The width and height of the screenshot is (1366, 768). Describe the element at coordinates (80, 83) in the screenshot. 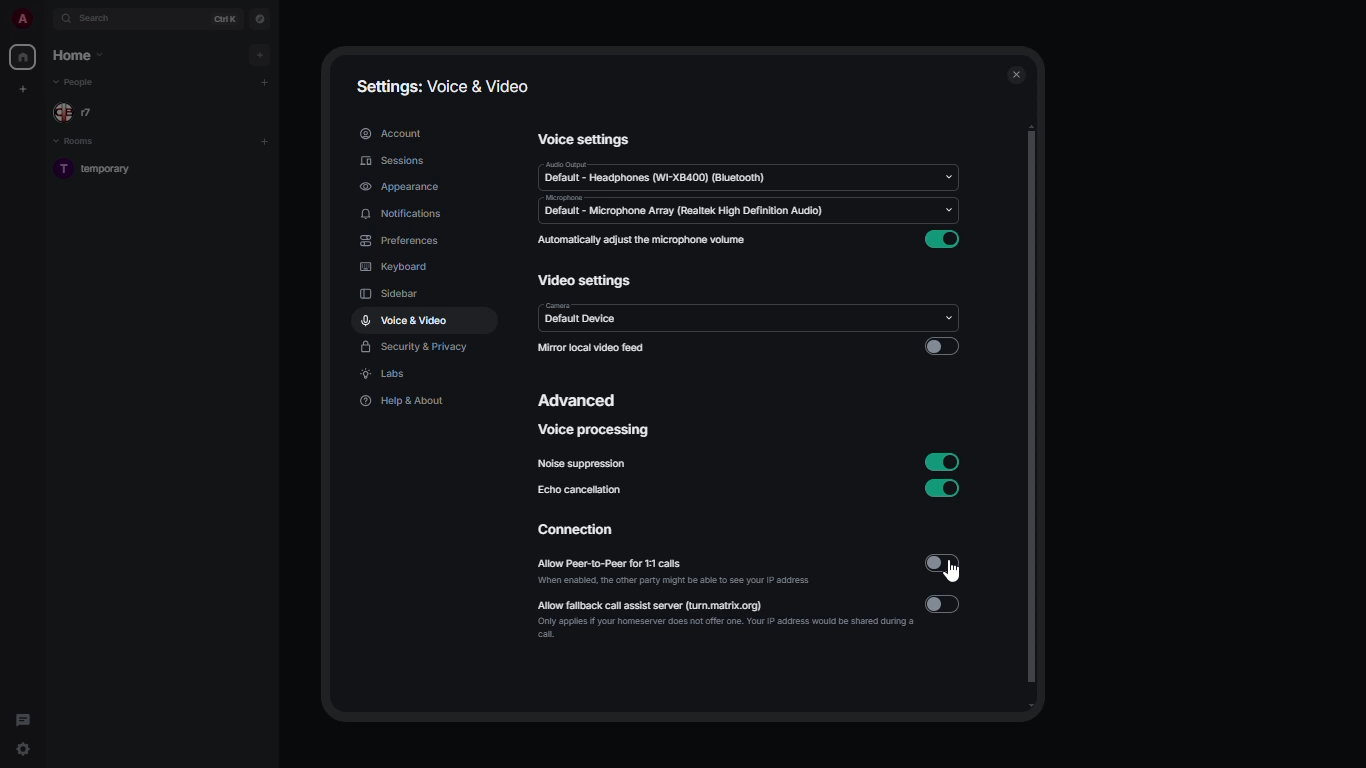

I see `people` at that location.